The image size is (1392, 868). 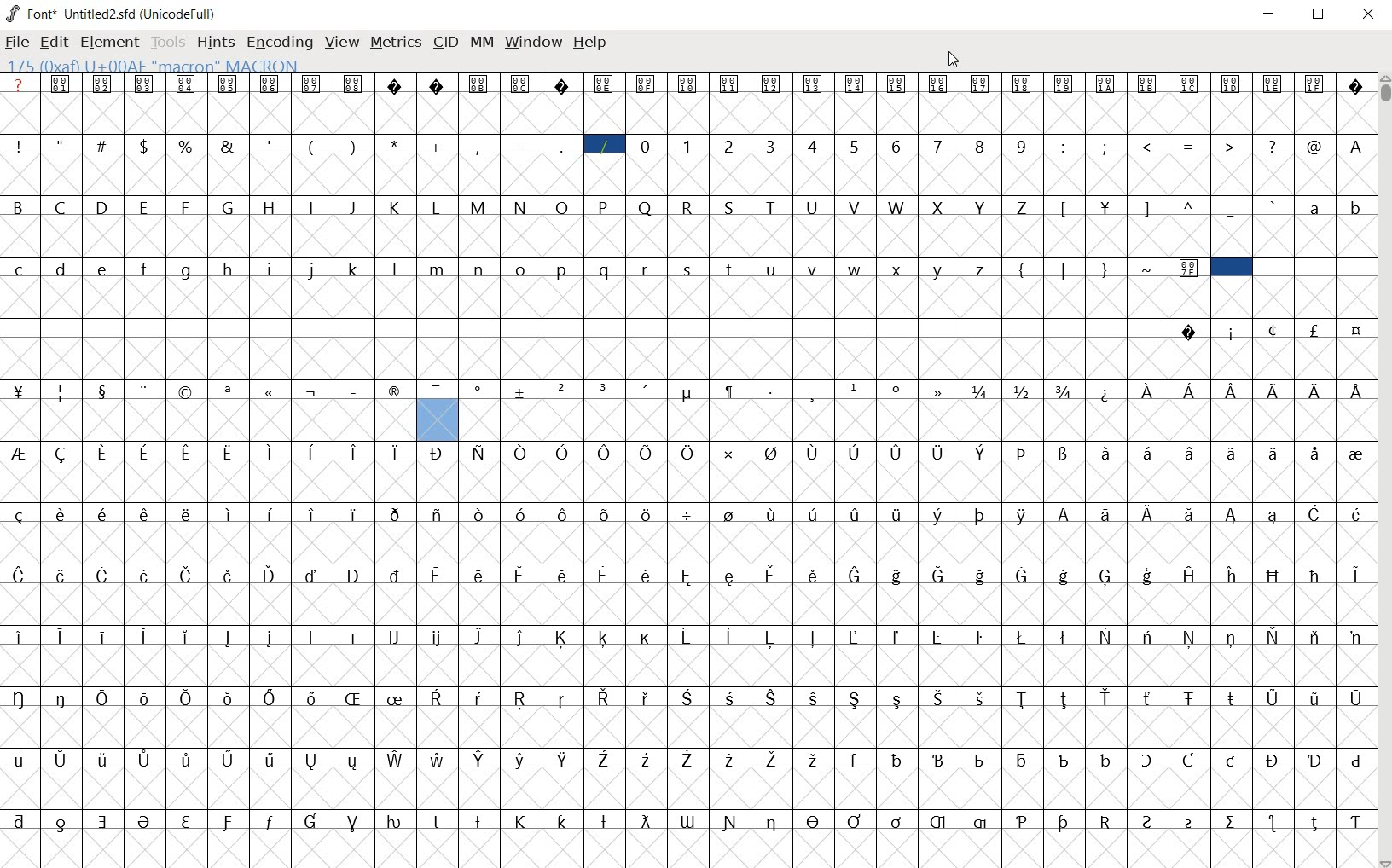 What do you see at coordinates (230, 757) in the screenshot?
I see `Symbol` at bounding box center [230, 757].